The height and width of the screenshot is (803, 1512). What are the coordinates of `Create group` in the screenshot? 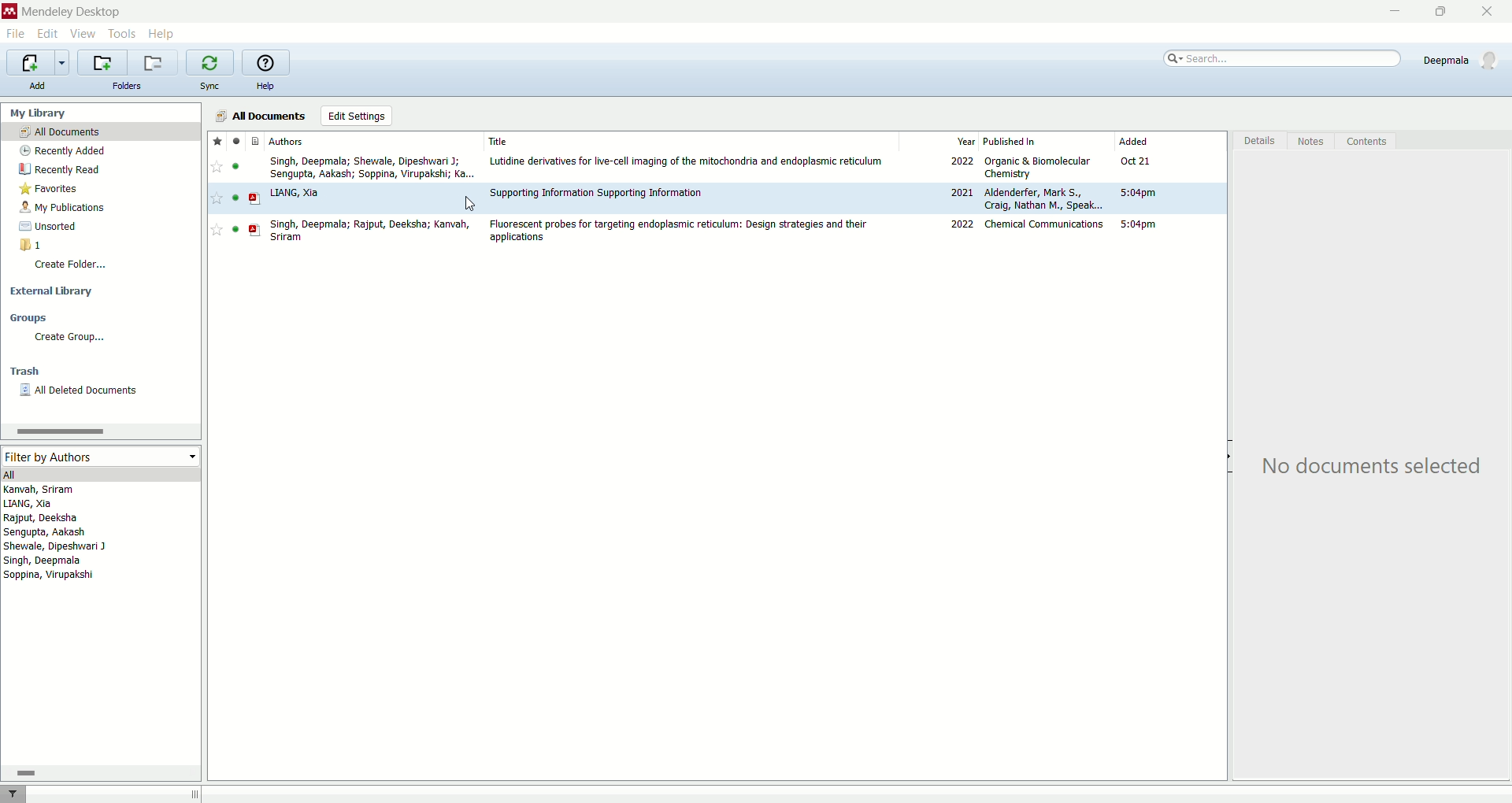 It's located at (69, 338).